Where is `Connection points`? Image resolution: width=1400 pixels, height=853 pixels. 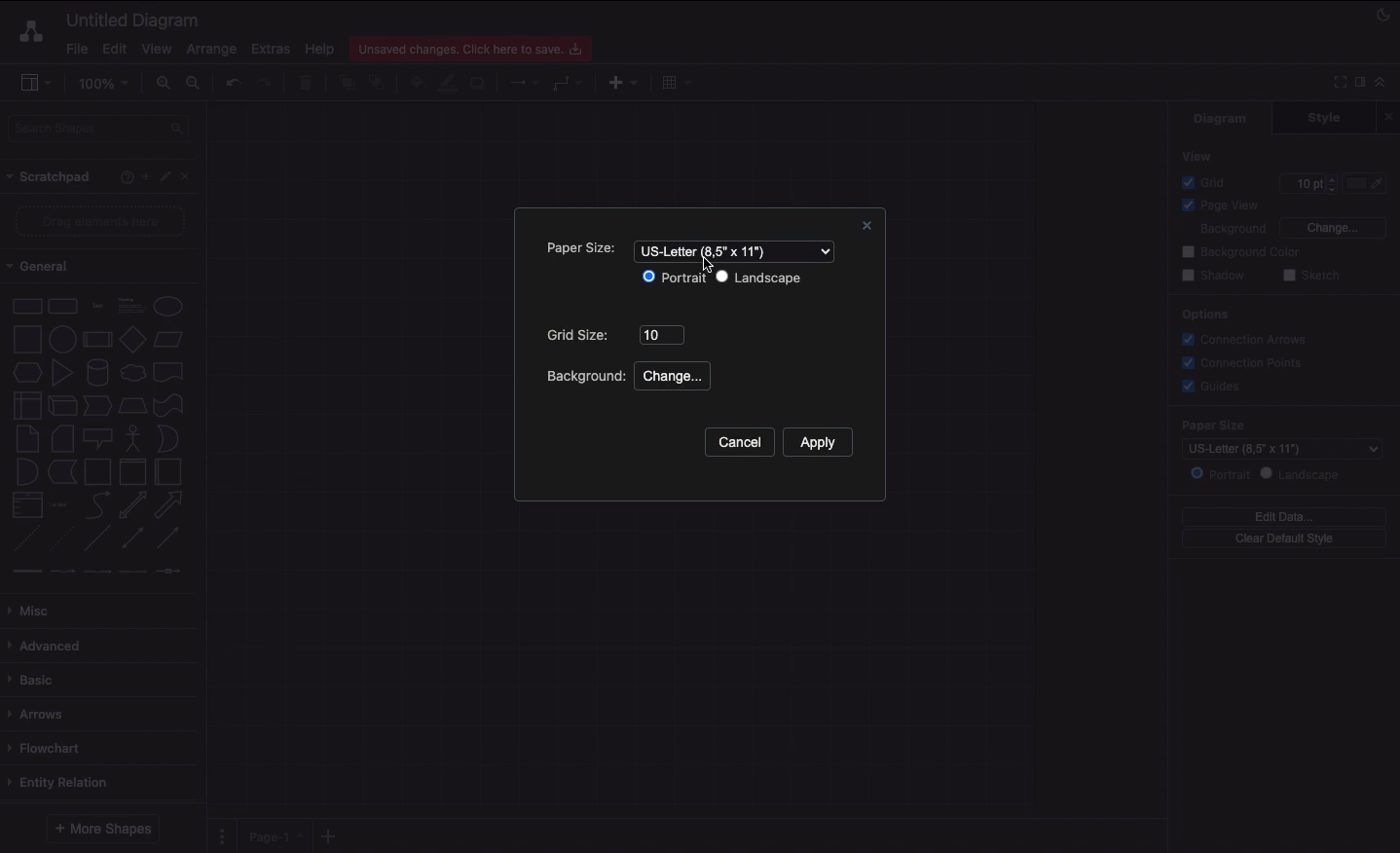
Connection points is located at coordinates (1243, 362).